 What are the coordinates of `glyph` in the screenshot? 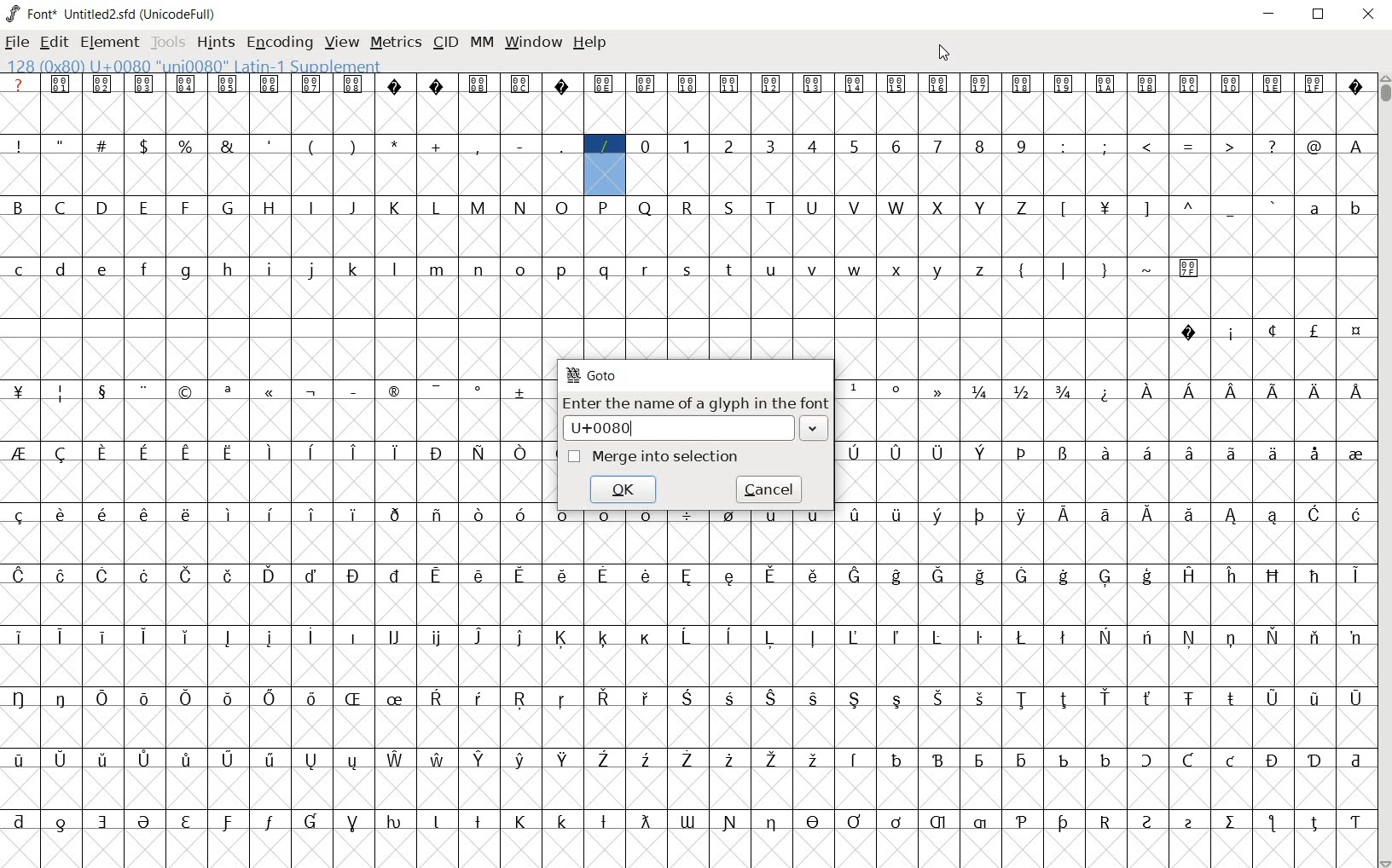 It's located at (604, 822).